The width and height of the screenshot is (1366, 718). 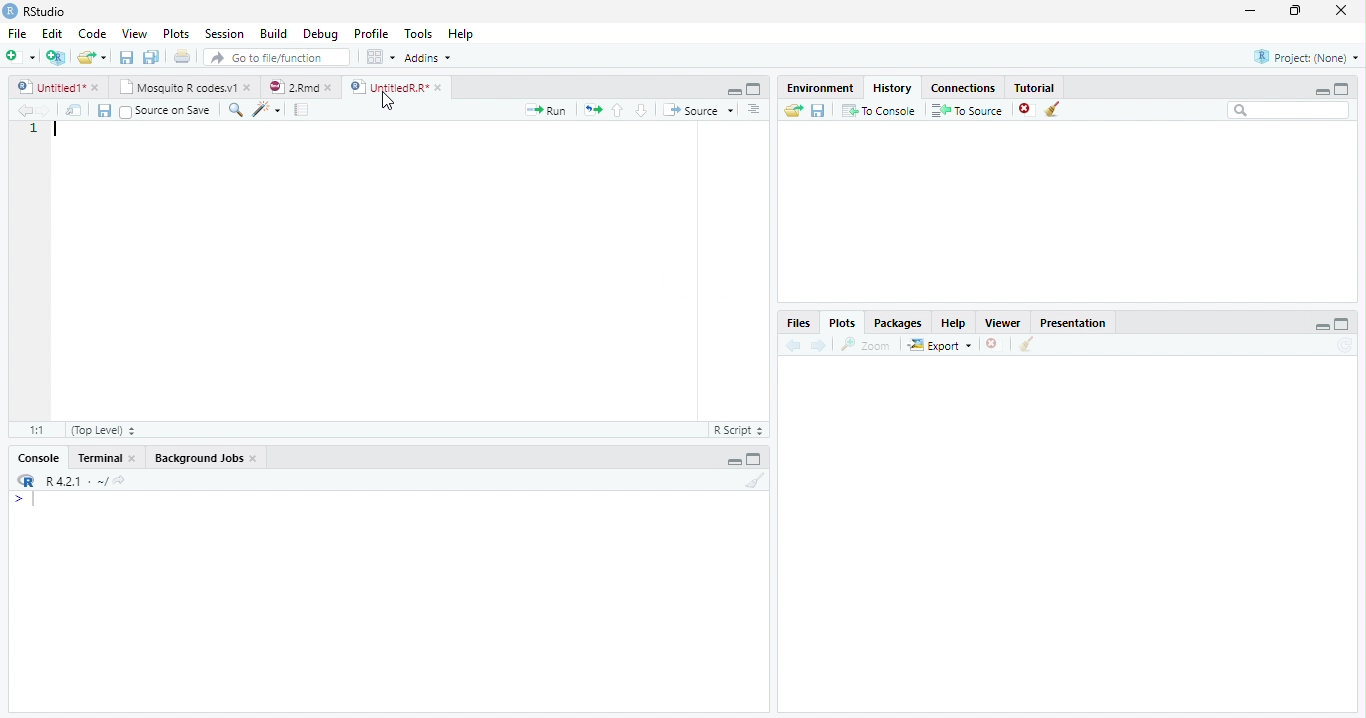 What do you see at coordinates (127, 57) in the screenshot?
I see `Save current document` at bounding box center [127, 57].